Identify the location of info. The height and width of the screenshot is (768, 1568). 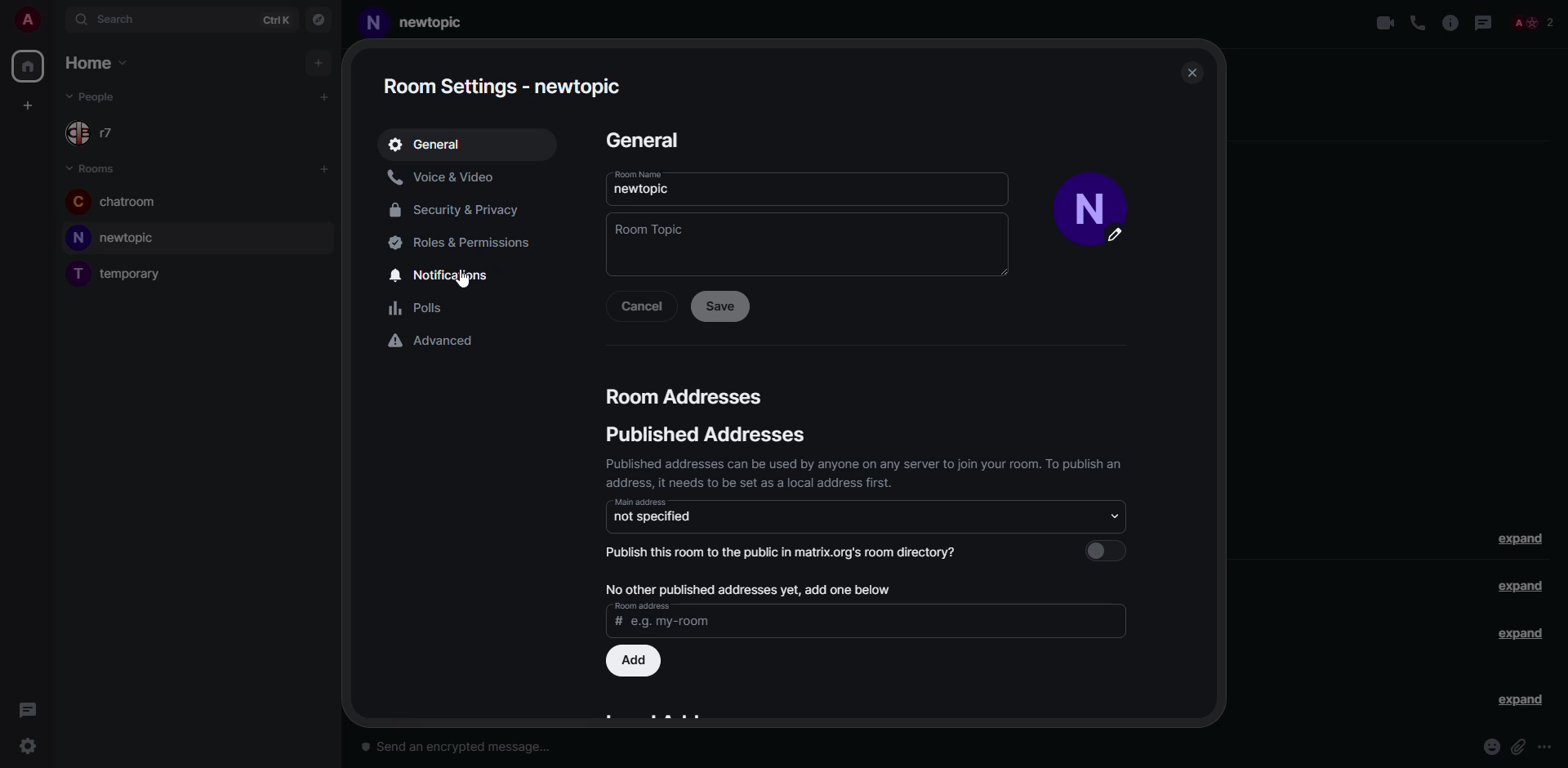
(1450, 22).